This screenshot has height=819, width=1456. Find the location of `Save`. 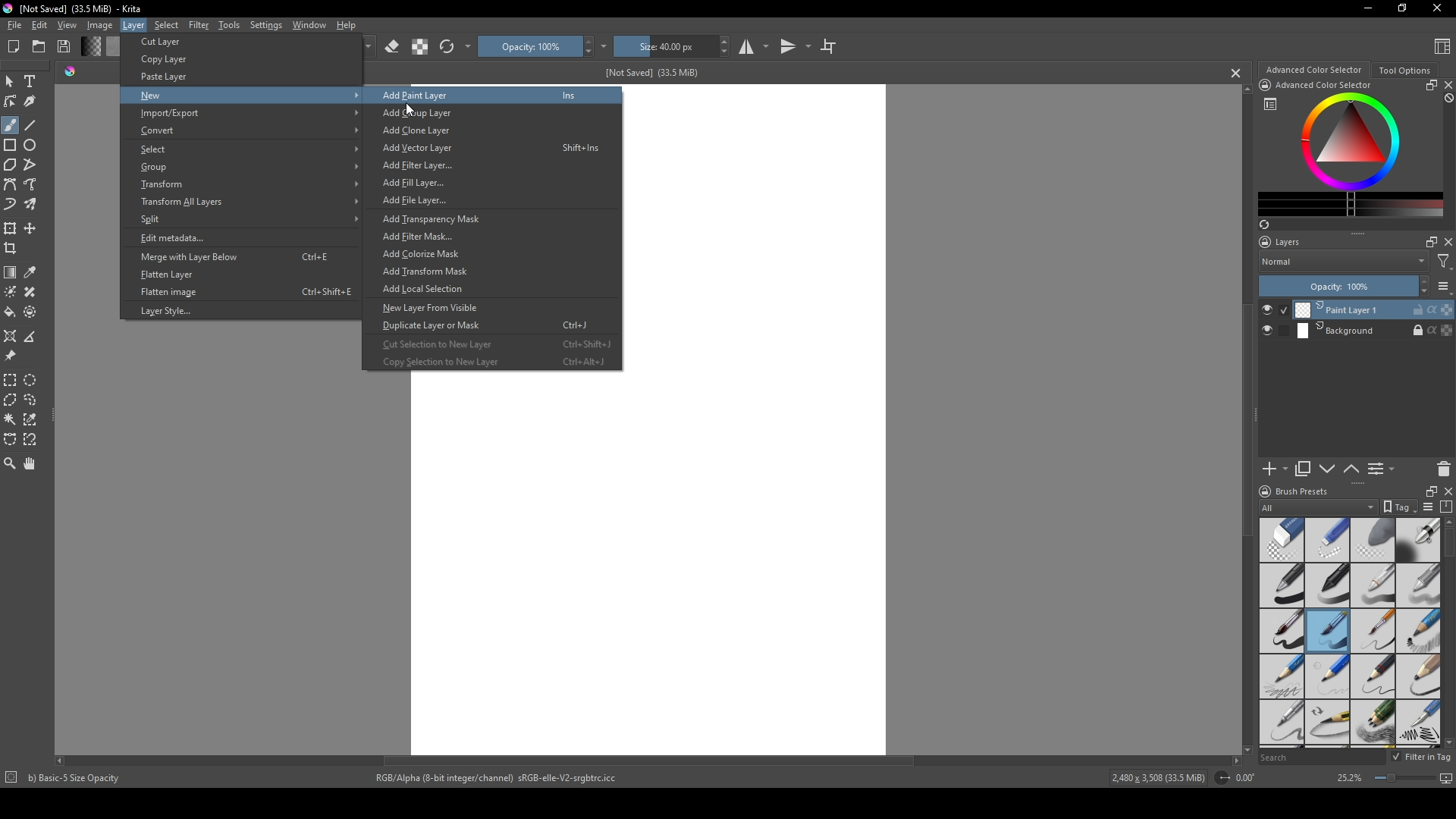

Save is located at coordinates (65, 45).